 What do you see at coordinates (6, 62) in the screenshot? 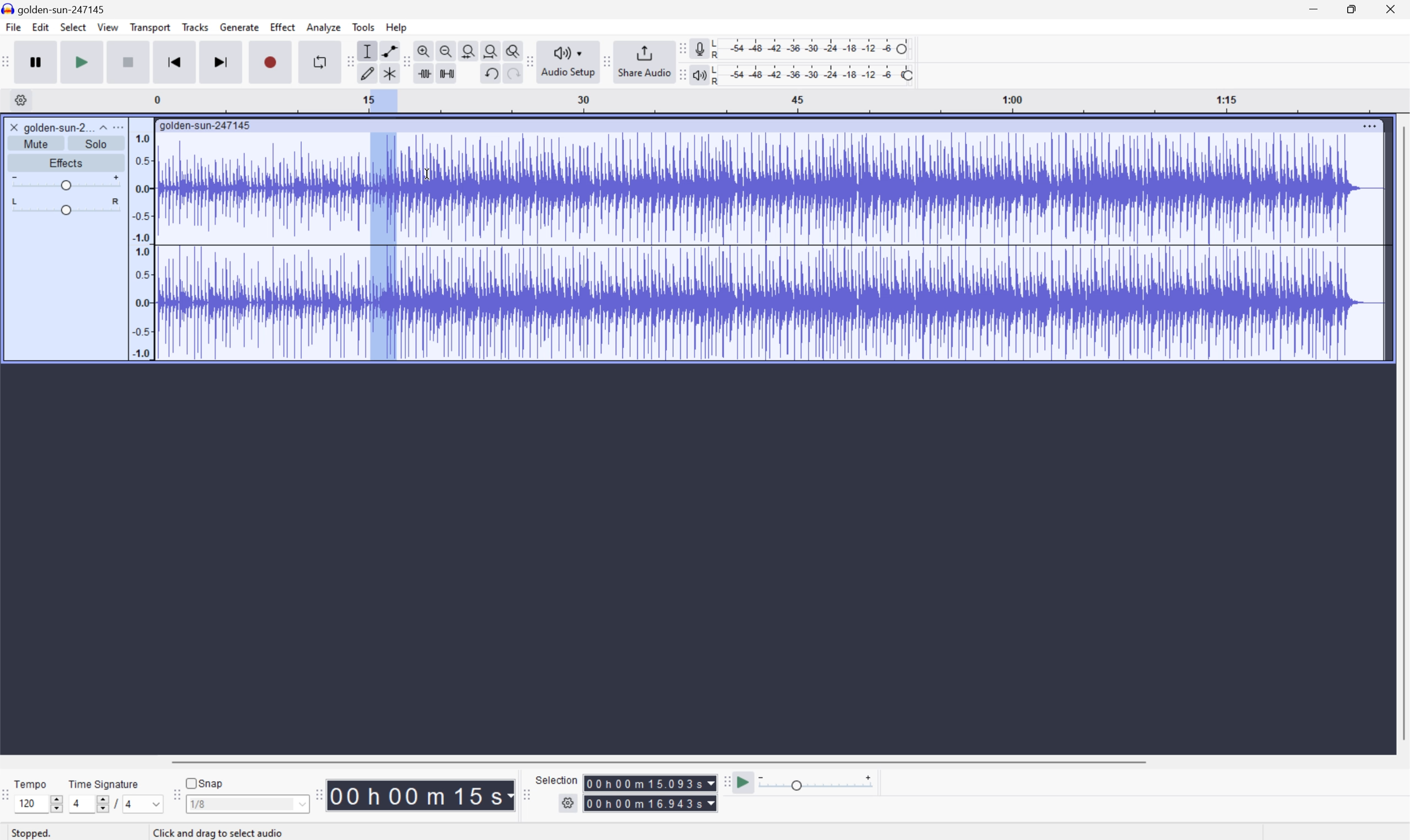
I see `Audacity transport layer toolbar` at bounding box center [6, 62].